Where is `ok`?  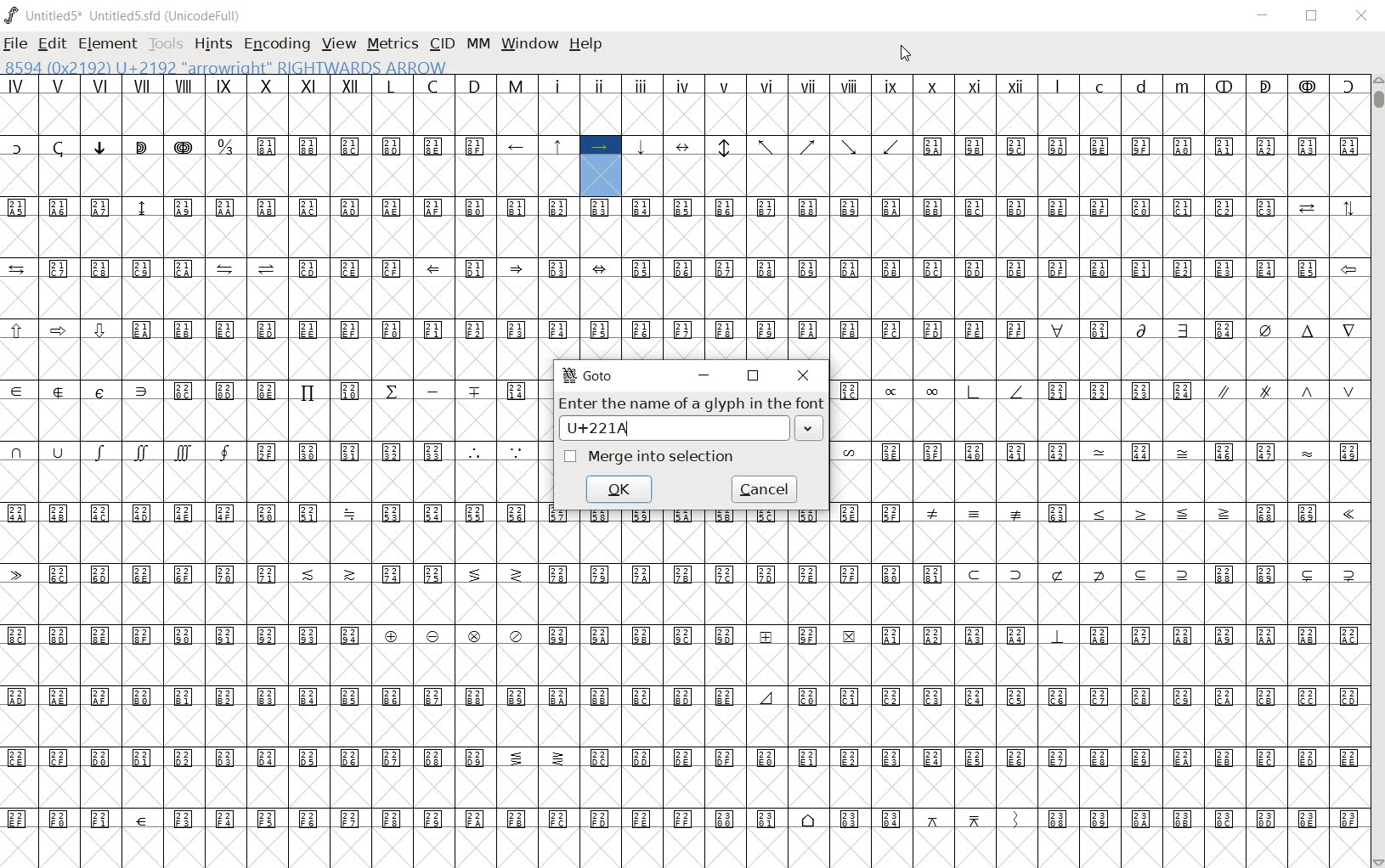
ok is located at coordinates (621, 488).